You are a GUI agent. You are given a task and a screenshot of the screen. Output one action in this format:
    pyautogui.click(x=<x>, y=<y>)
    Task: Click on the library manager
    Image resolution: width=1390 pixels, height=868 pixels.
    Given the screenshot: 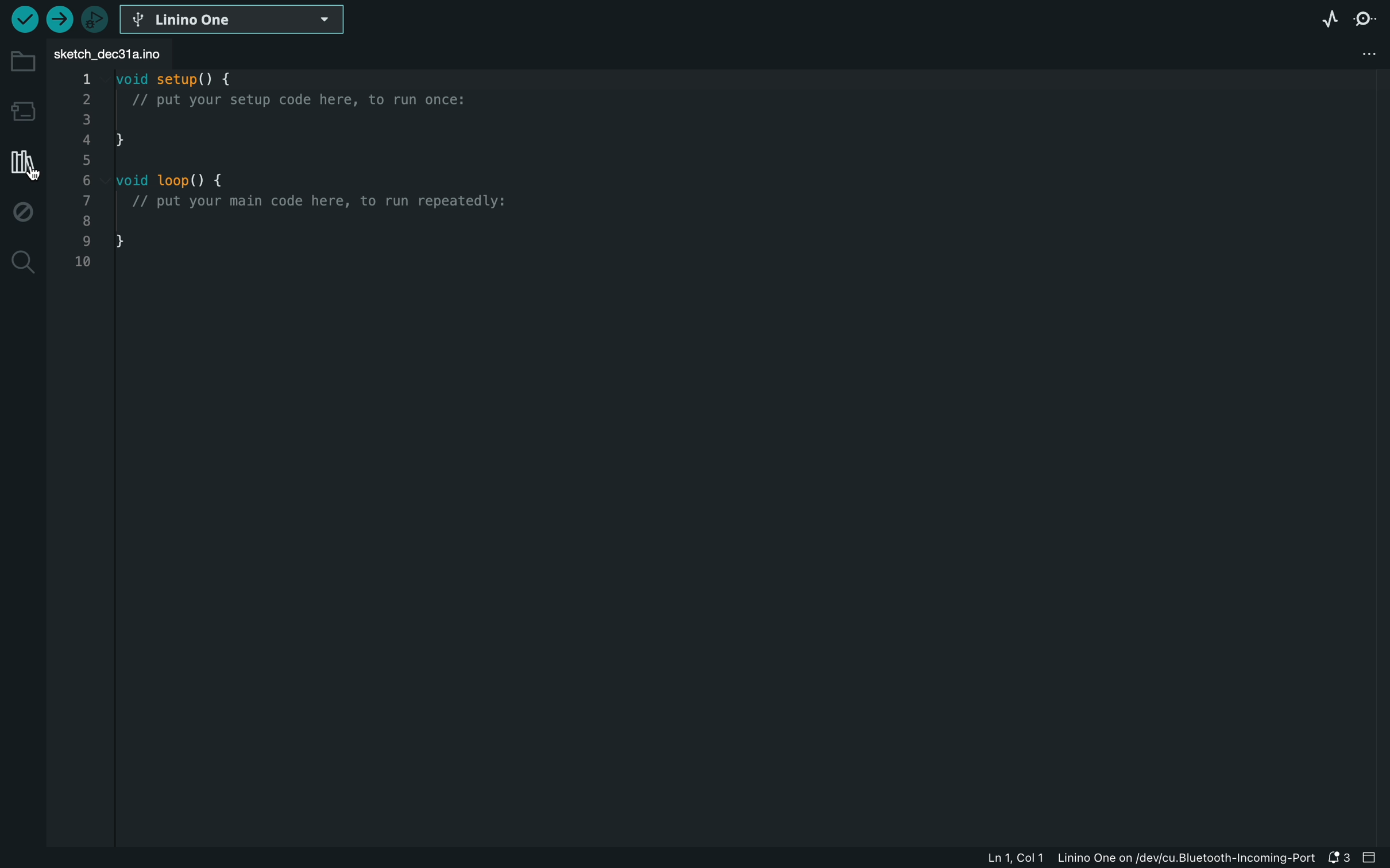 What is the action you would take?
    pyautogui.click(x=21, y=164)
    